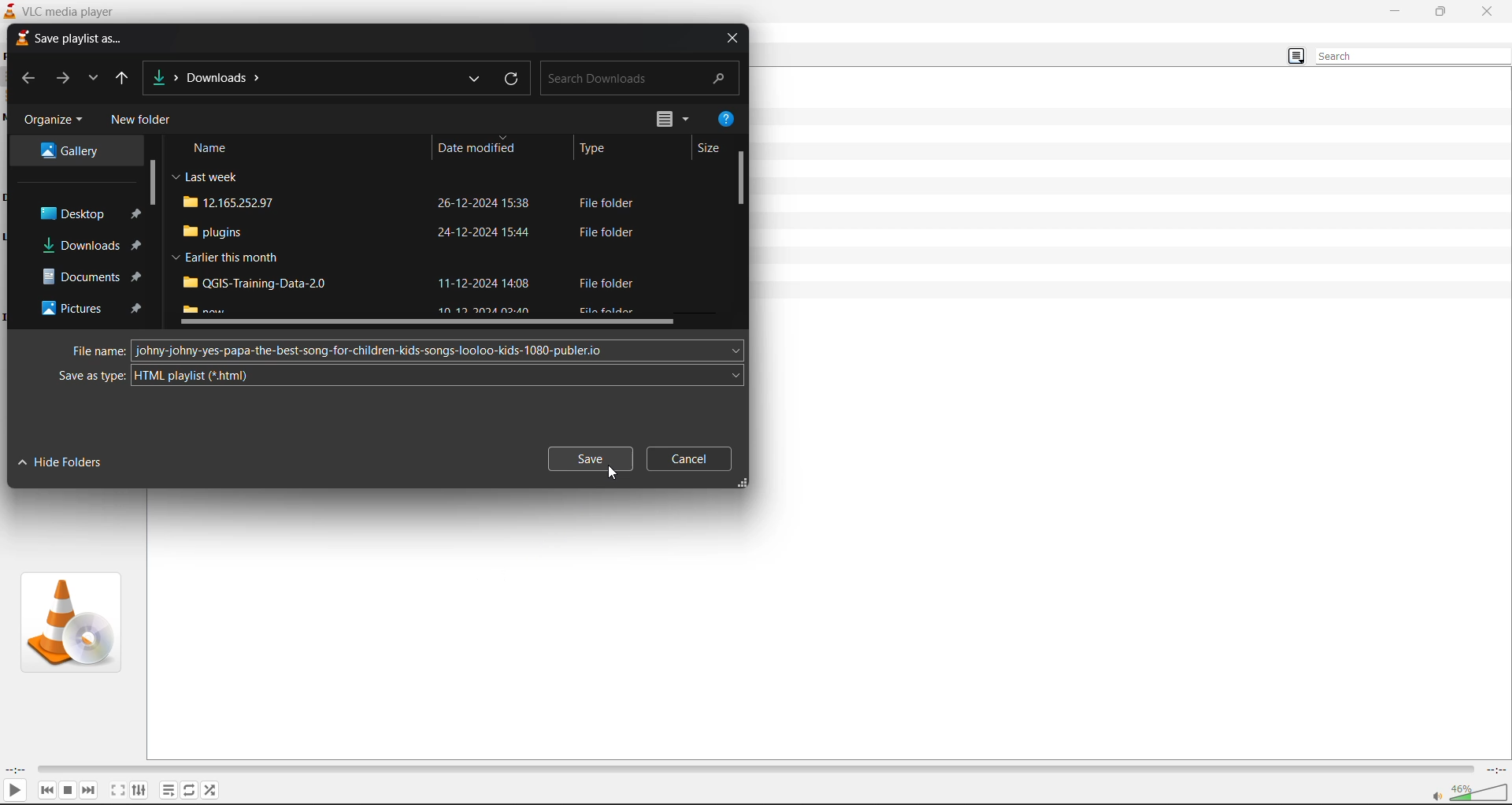  I want to click on up to desktop, so click(127, 80).